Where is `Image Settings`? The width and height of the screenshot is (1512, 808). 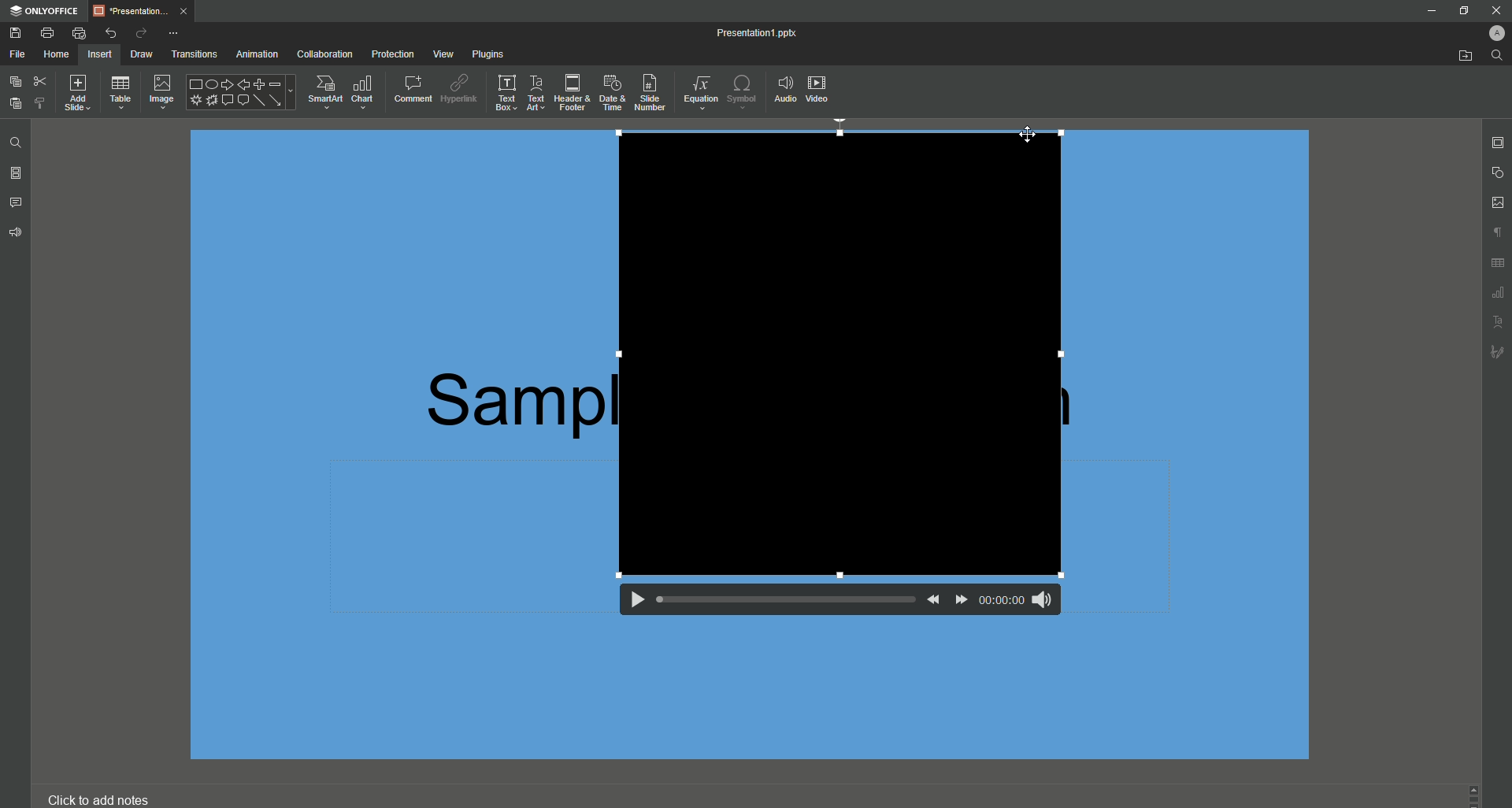
Image Settings is located at coordinates (1498, 203).